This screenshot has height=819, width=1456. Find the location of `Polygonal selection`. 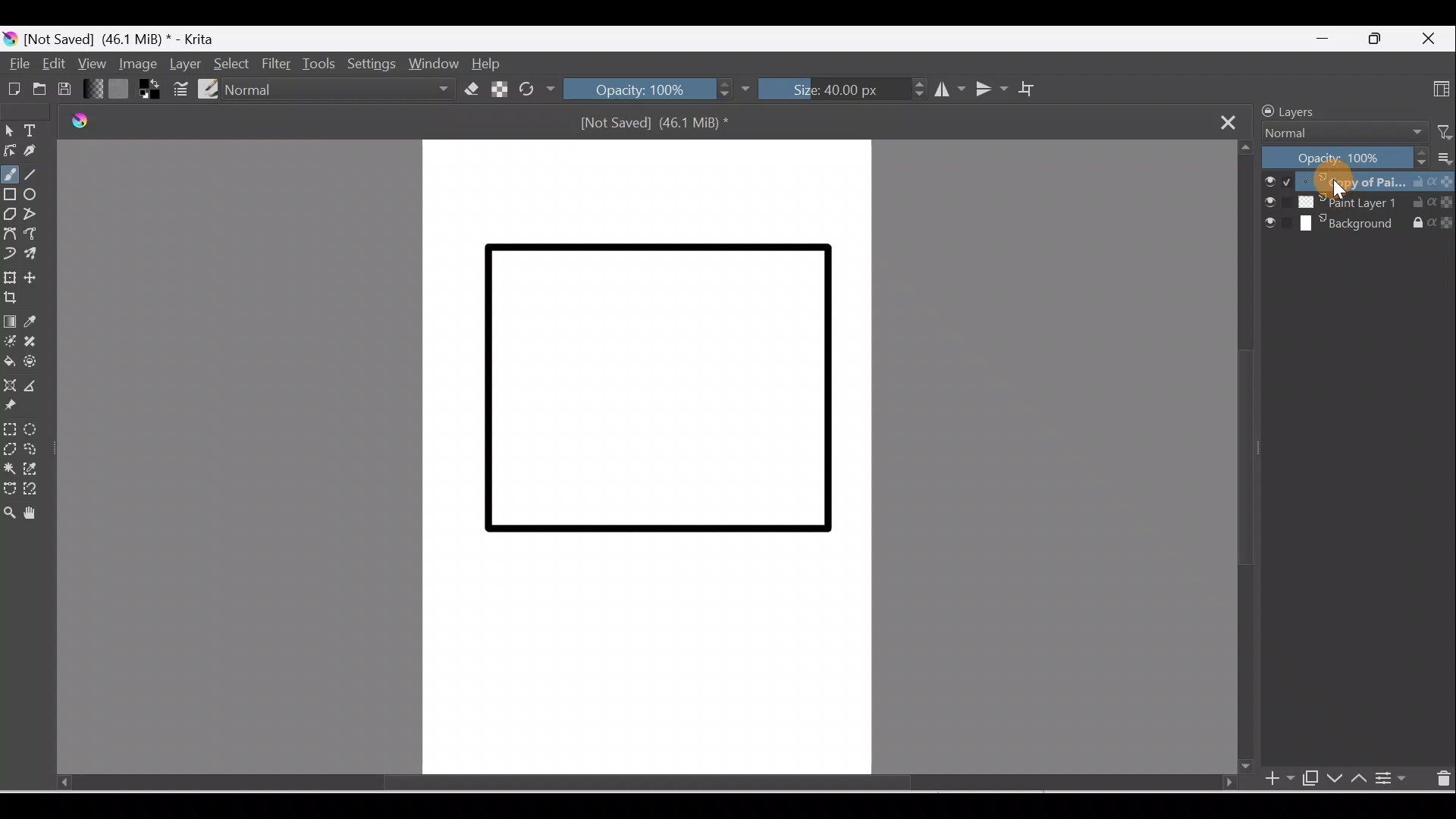

Polygonal selection is located at coordinates (9, 447).